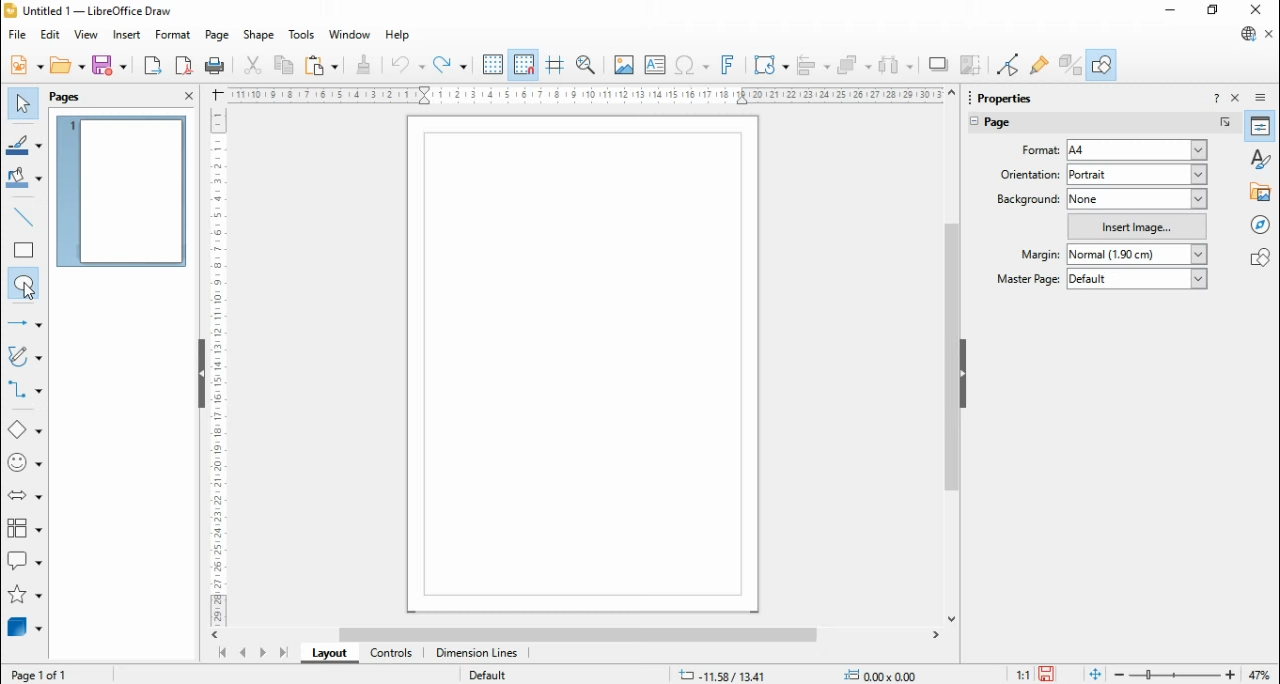  I want to click on line color, so click(26, 145).